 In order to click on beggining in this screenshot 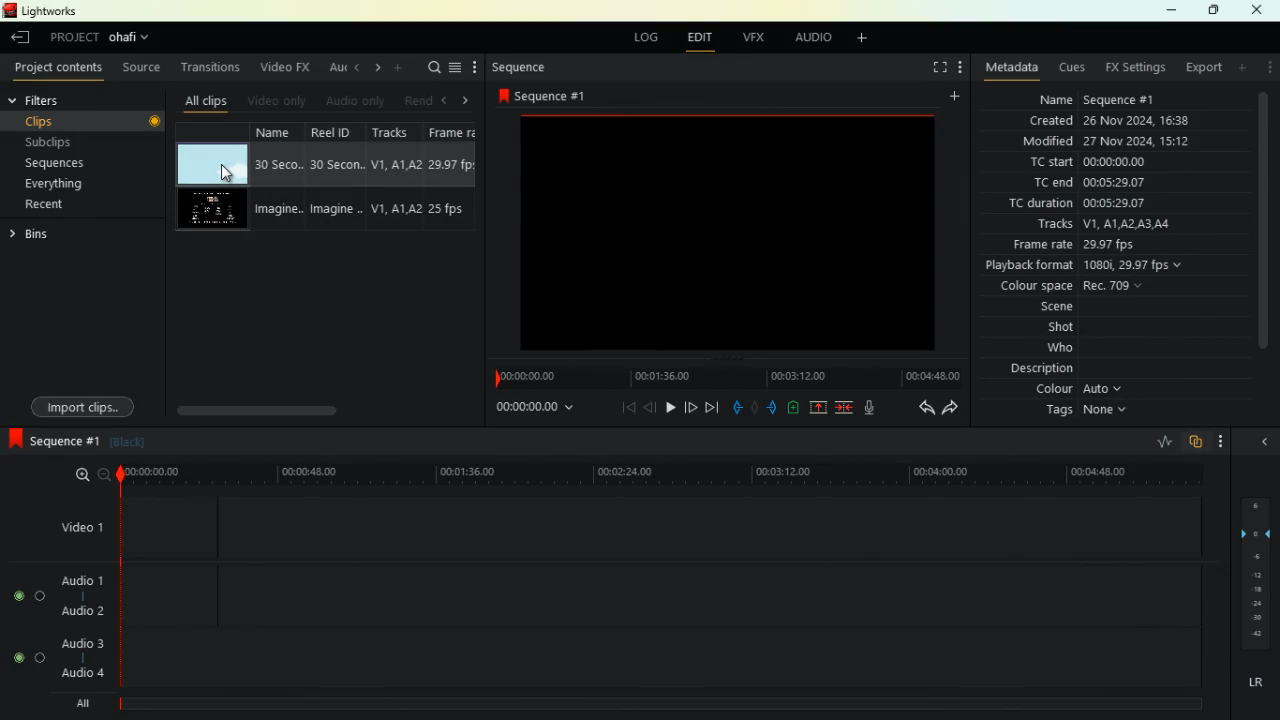, I will do `click(629, 409)`.